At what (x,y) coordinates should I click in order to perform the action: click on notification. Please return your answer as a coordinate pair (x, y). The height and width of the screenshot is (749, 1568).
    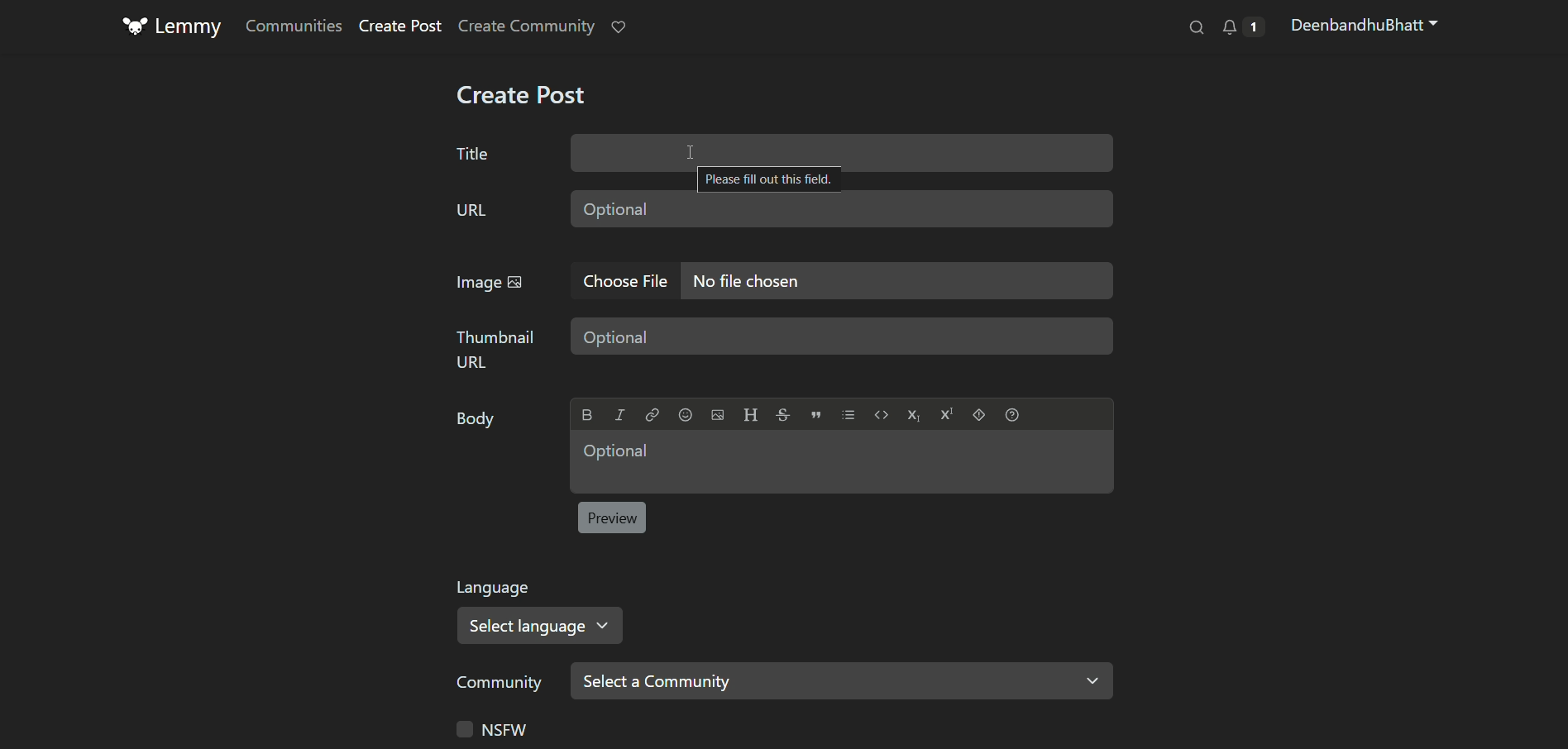
    Looking at the image, I should click on (1241, 28).